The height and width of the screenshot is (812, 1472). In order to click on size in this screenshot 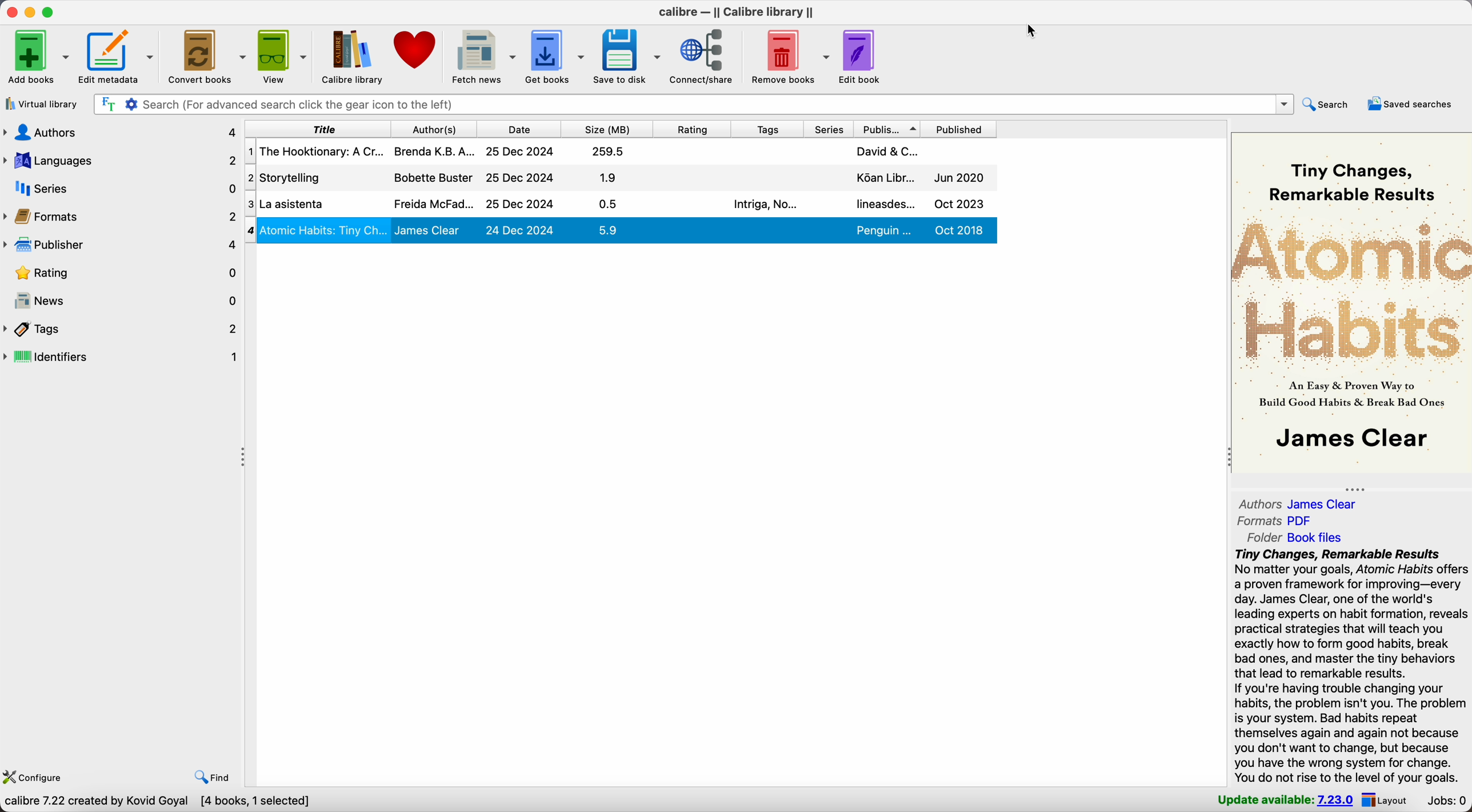, I will do `click(608, 129)`.